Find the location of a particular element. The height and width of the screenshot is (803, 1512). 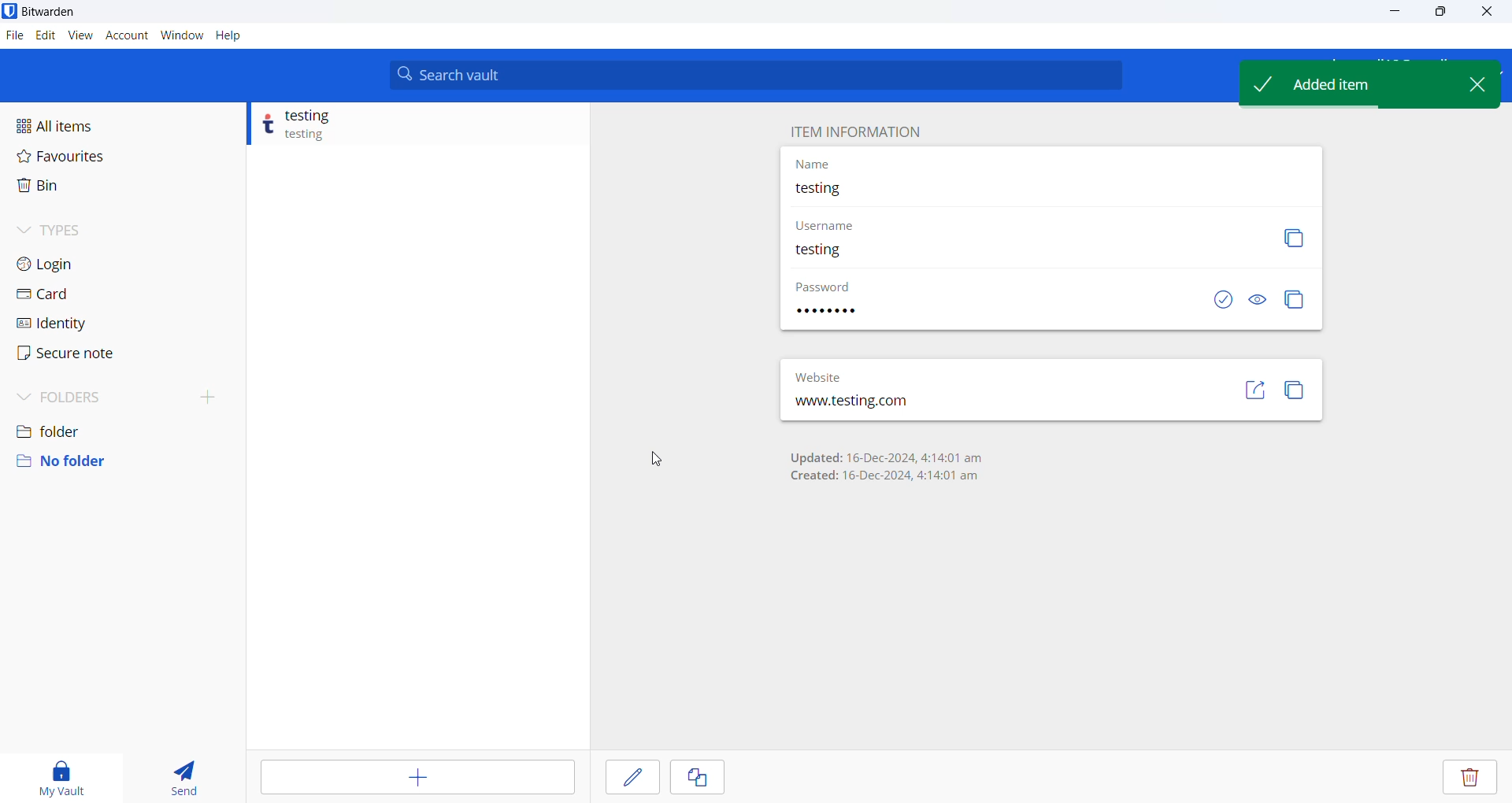

Updated: 16-Dec-2024, 4:14:01 am is located at coordinates (885, 457).